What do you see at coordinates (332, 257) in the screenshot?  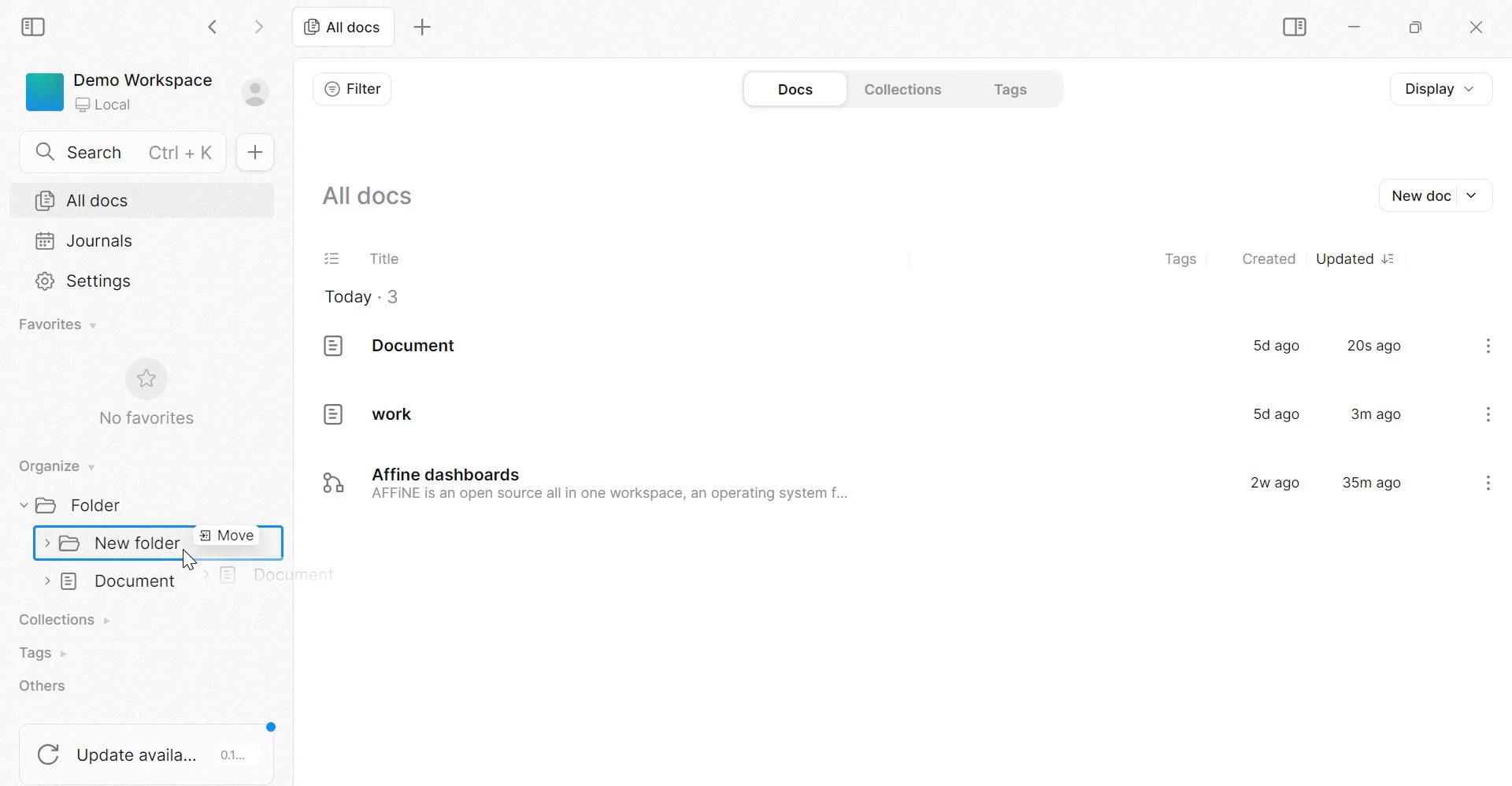 I see `Task list` at bounding box center [332, 257].